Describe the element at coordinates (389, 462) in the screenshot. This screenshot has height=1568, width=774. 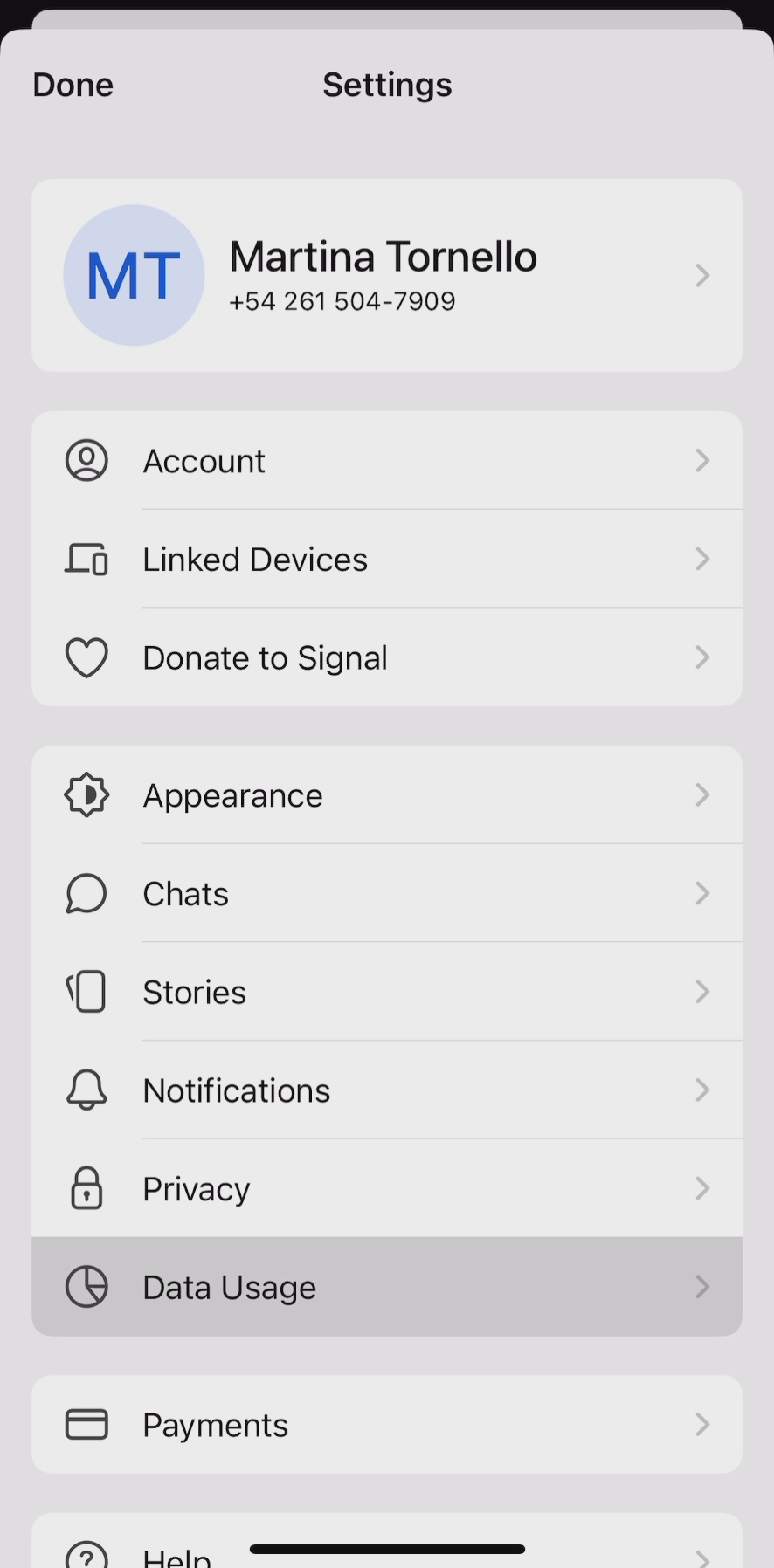
I see `account` at that location.